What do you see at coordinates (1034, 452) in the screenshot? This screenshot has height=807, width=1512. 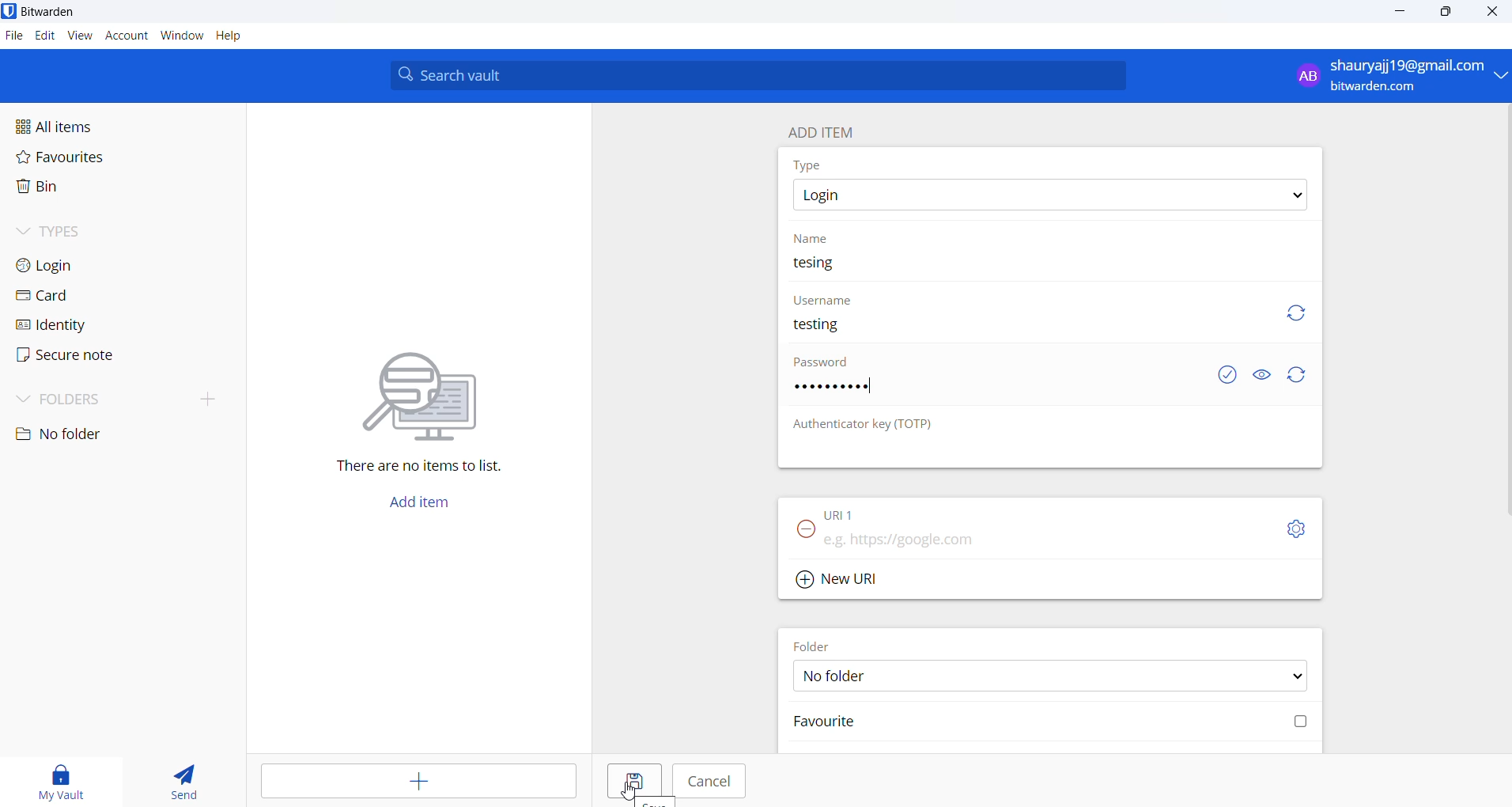 I see `OTP text box` at bounding box center [1034, 452].